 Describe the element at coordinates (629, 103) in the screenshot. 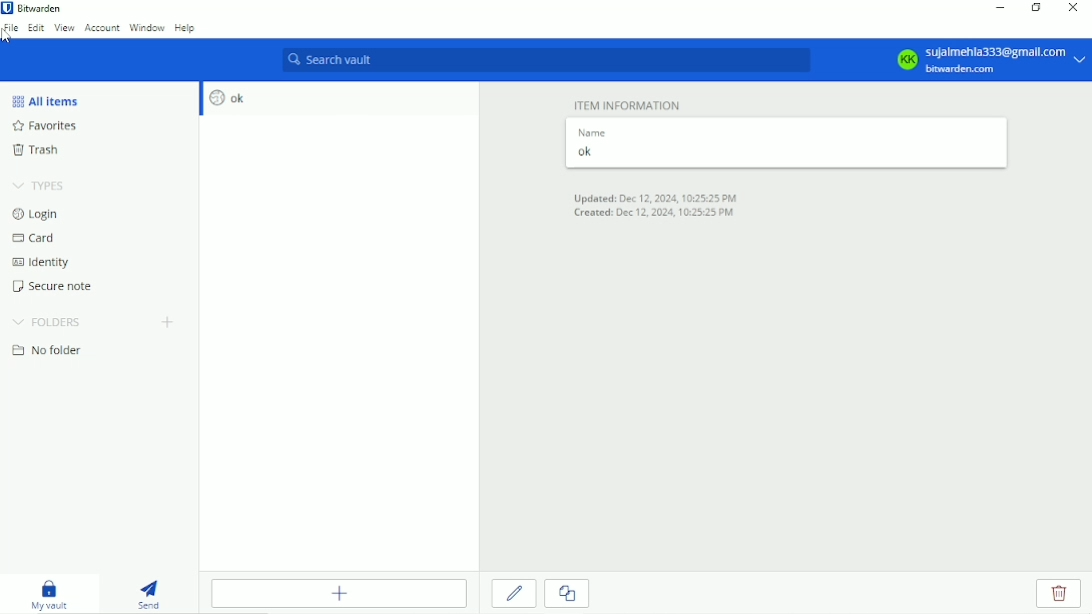

I see `Item information` at that location.